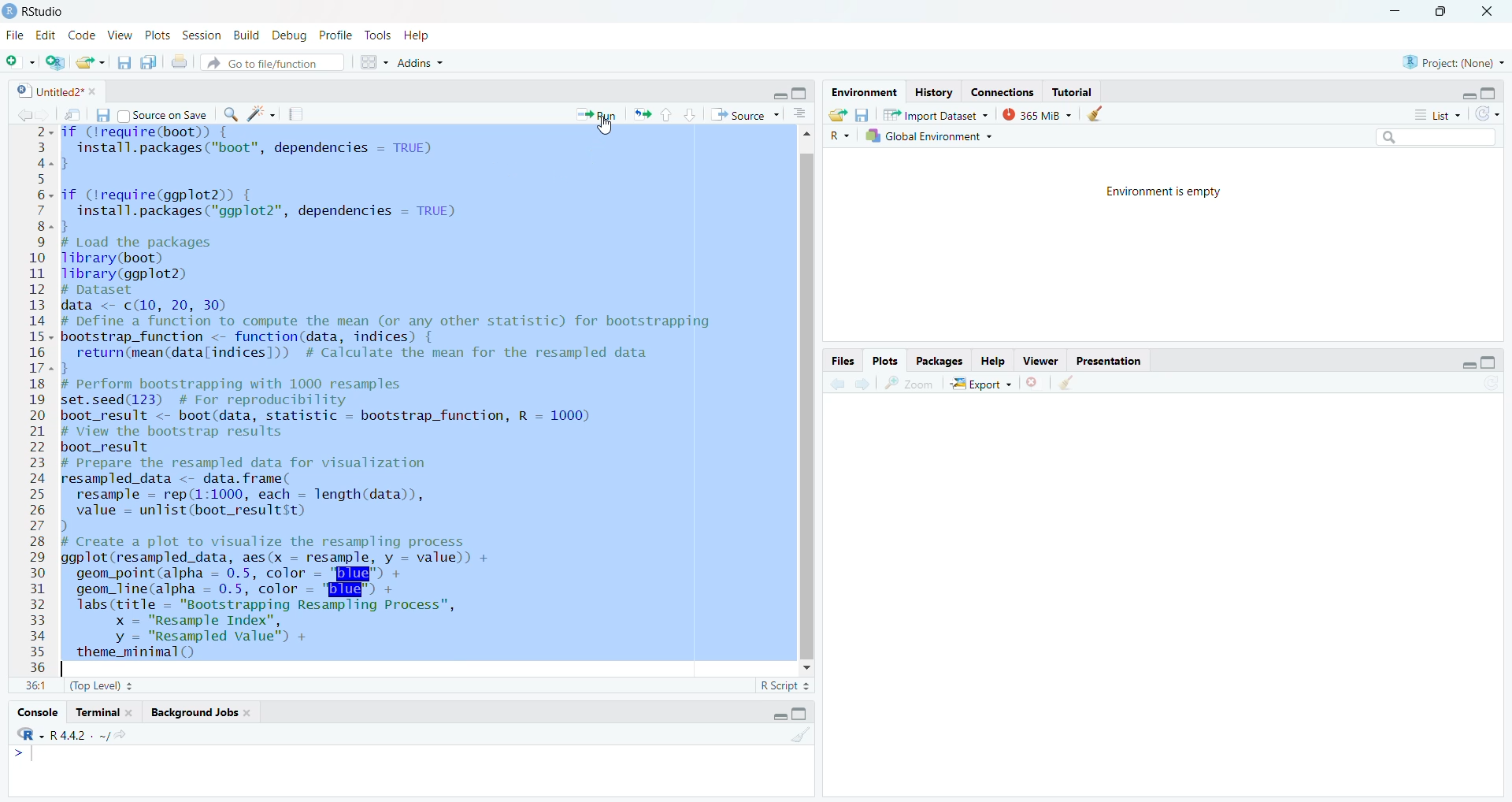 The width and height of the screenshot is (1512, 802). I want to click on print the current file, so click(183, 61).